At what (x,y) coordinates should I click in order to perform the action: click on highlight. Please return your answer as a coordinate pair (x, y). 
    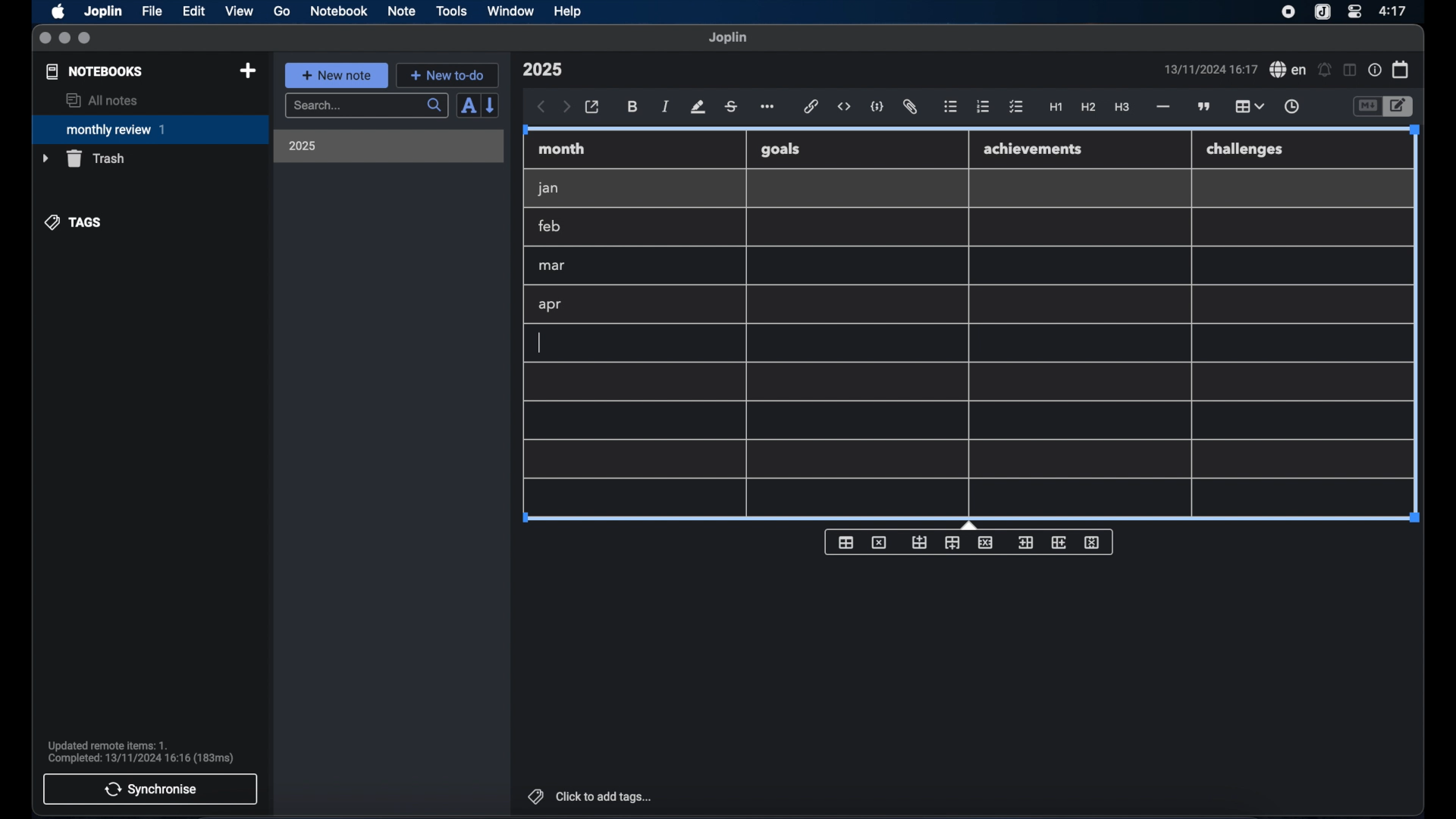
    Looking at the image, I should click on (698, 107).